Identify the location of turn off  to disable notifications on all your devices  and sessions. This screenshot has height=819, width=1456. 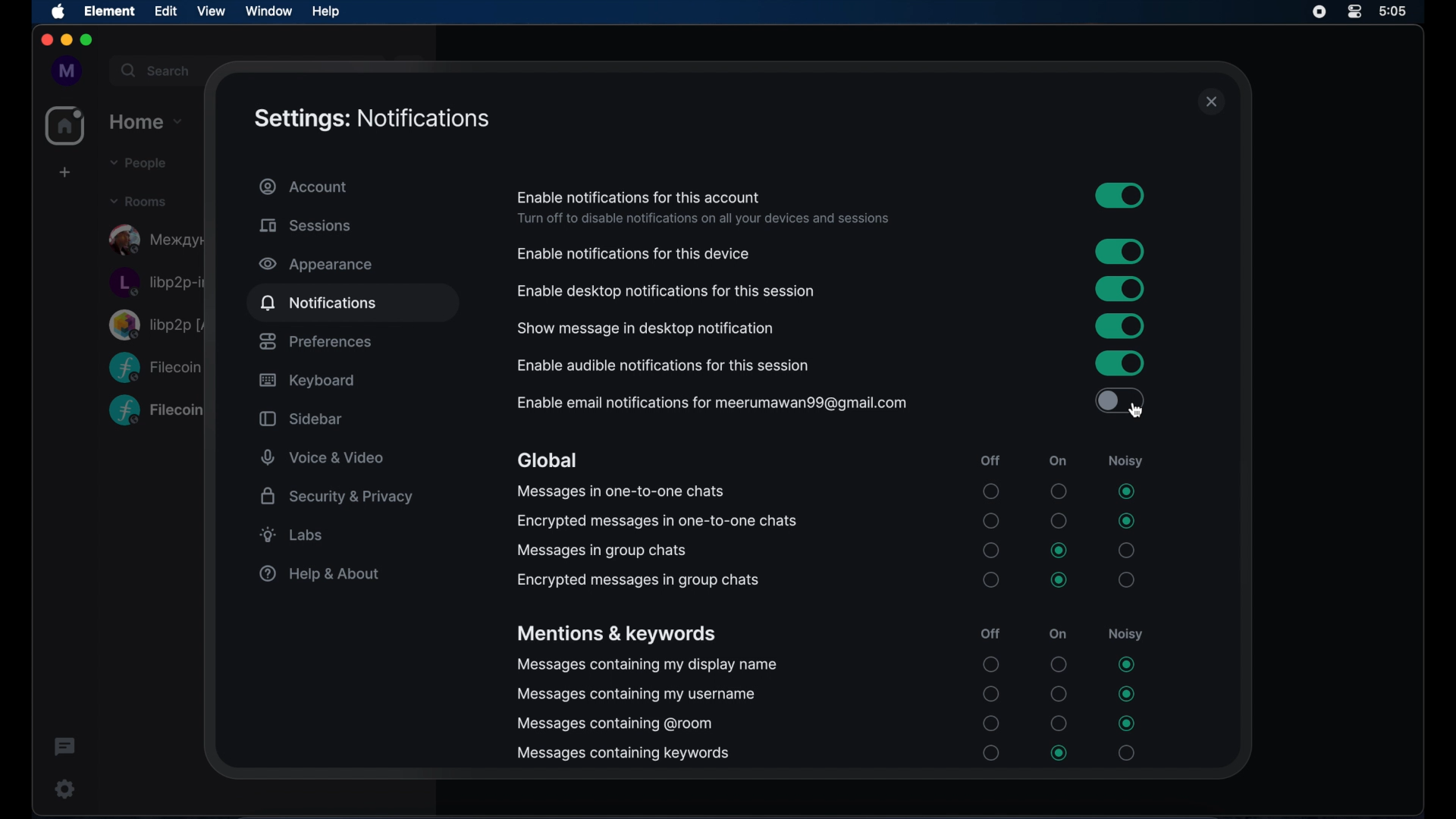
(703, 219).